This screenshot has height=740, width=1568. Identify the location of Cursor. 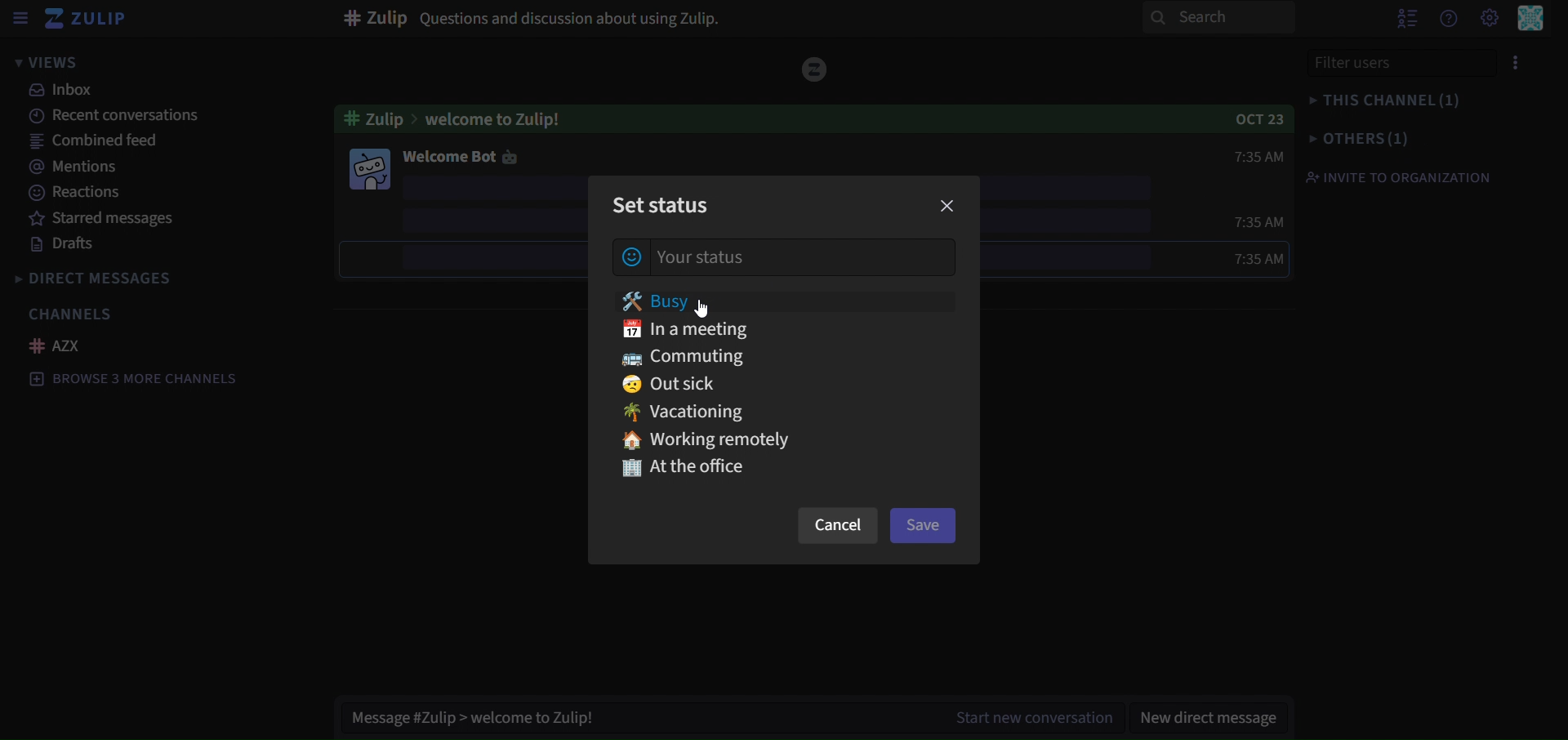
(703, 309).